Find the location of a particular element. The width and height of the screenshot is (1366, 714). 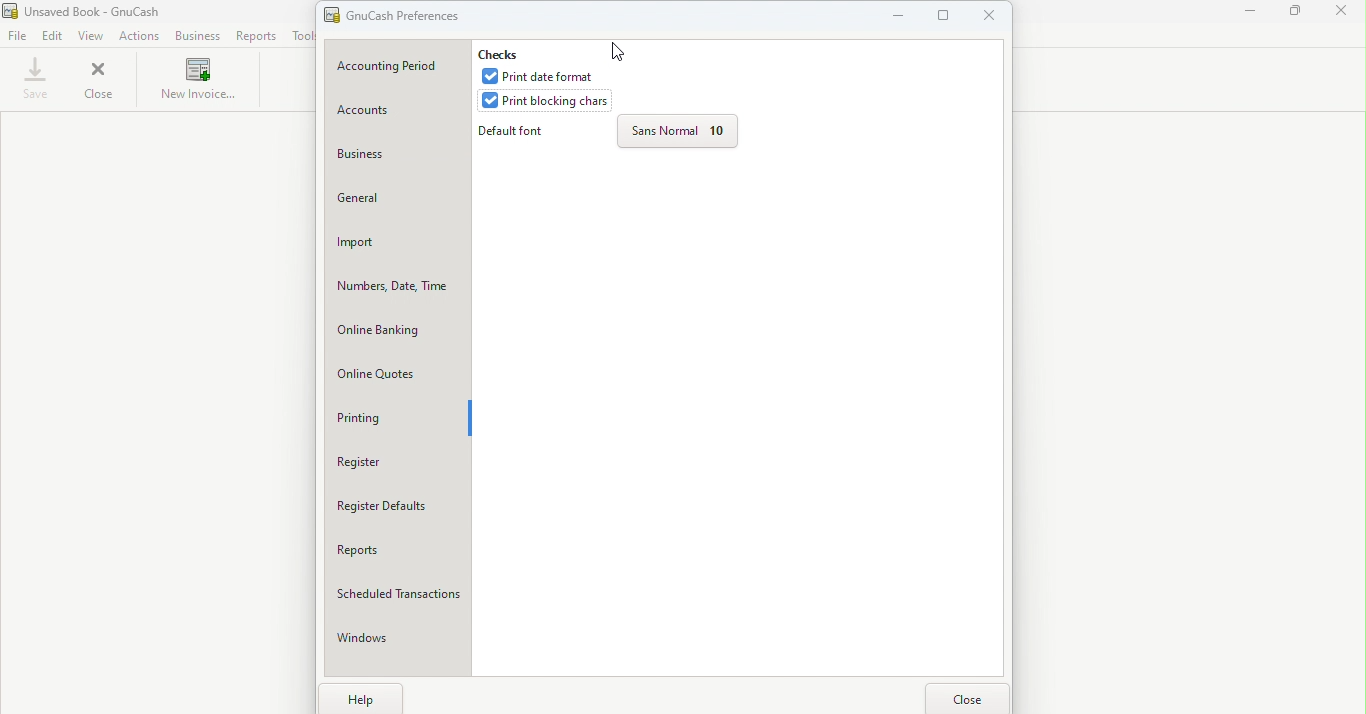

Business is located at coordinates (200, 37).